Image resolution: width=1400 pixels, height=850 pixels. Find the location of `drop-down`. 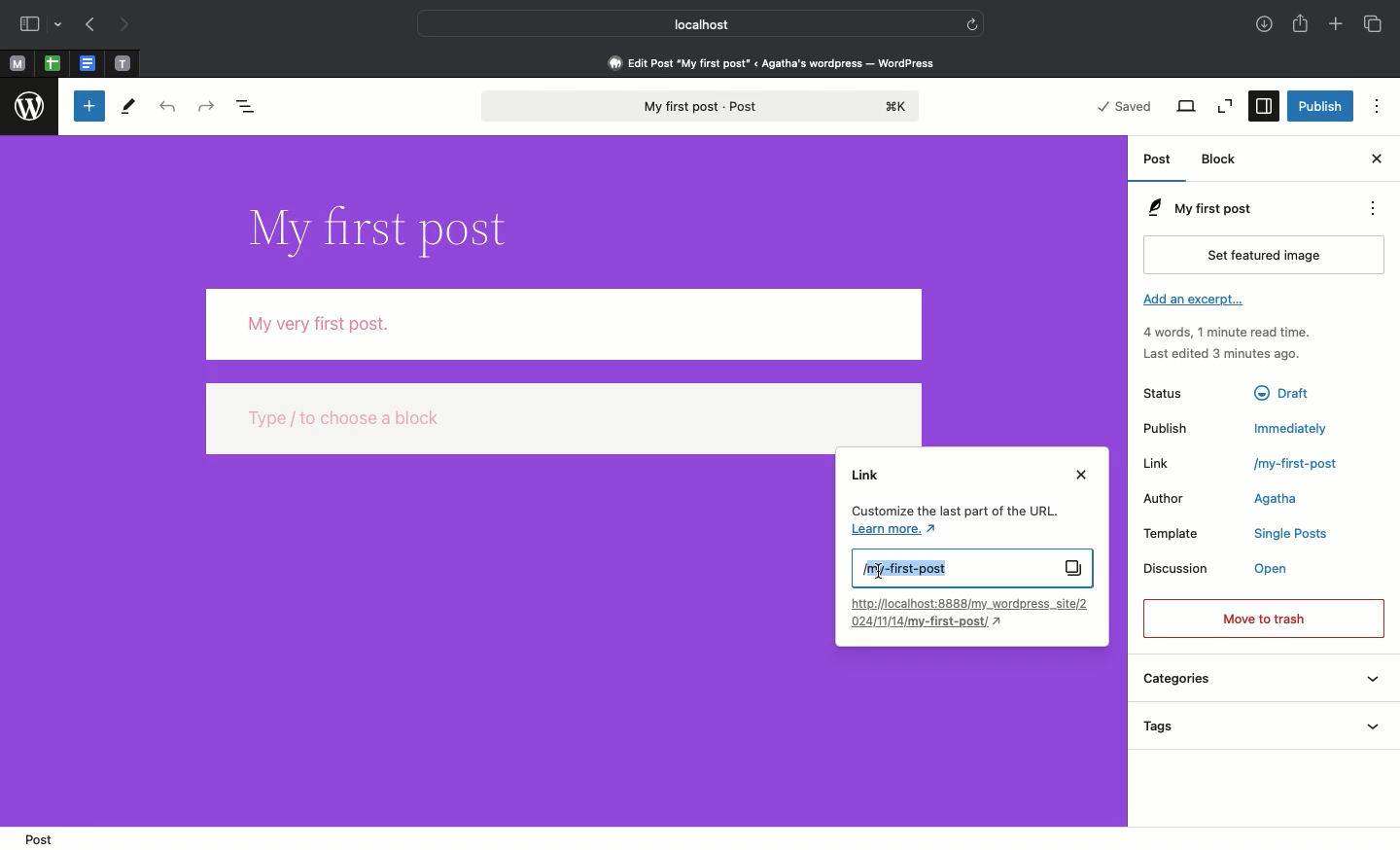

drop-down is located at coordinates (60, 22).